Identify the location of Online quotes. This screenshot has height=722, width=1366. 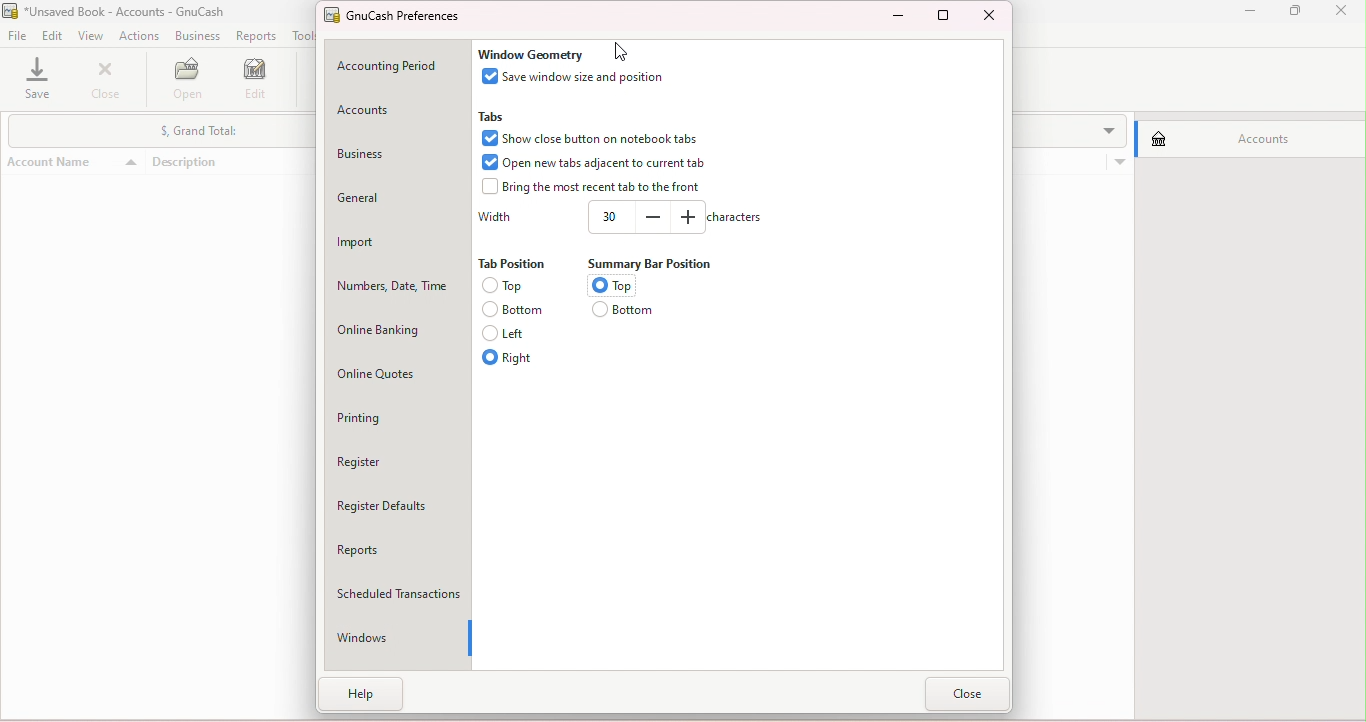
(390, 368).